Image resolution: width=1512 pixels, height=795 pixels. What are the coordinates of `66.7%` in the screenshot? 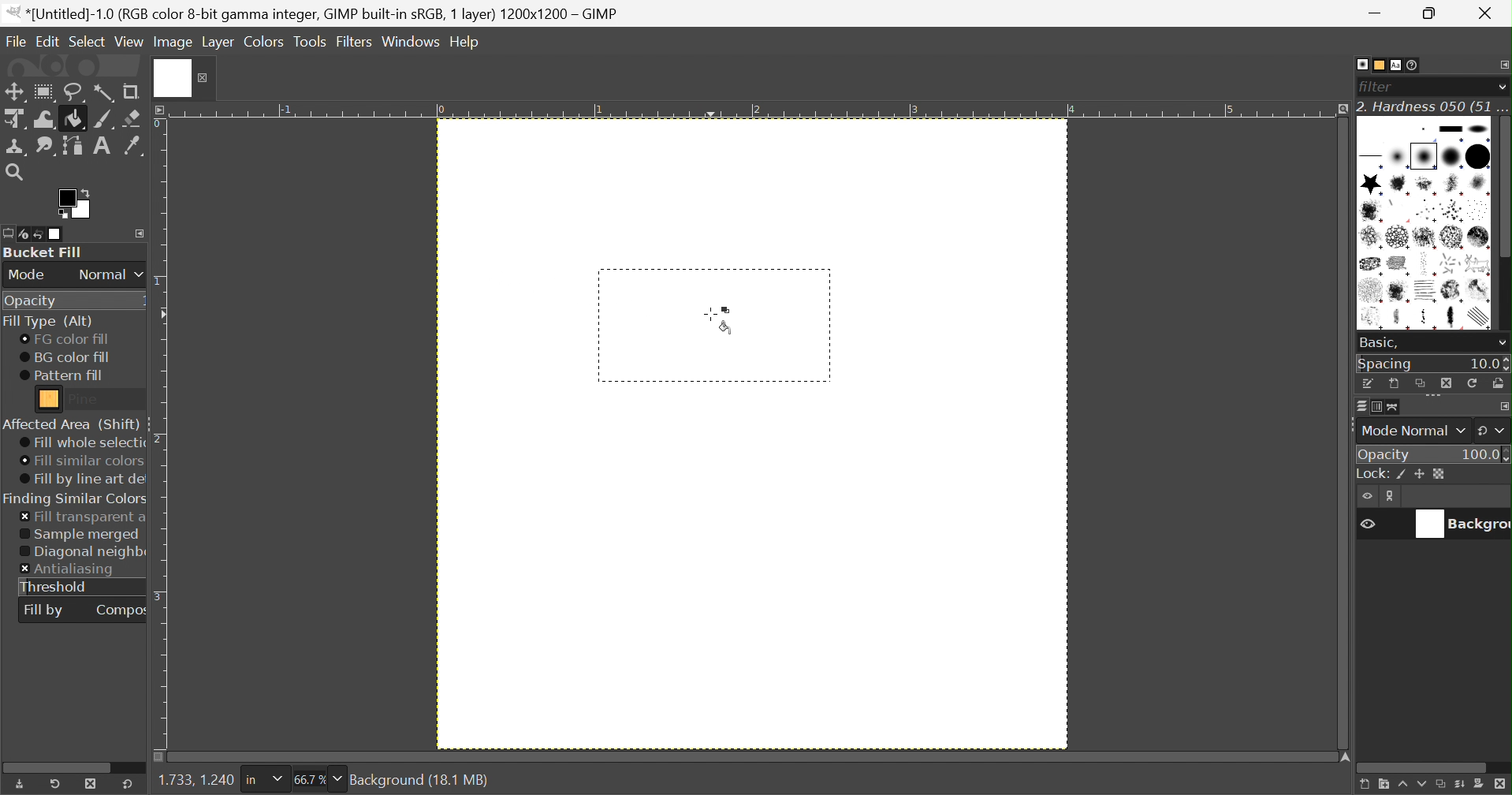 It's located at (309, 780).